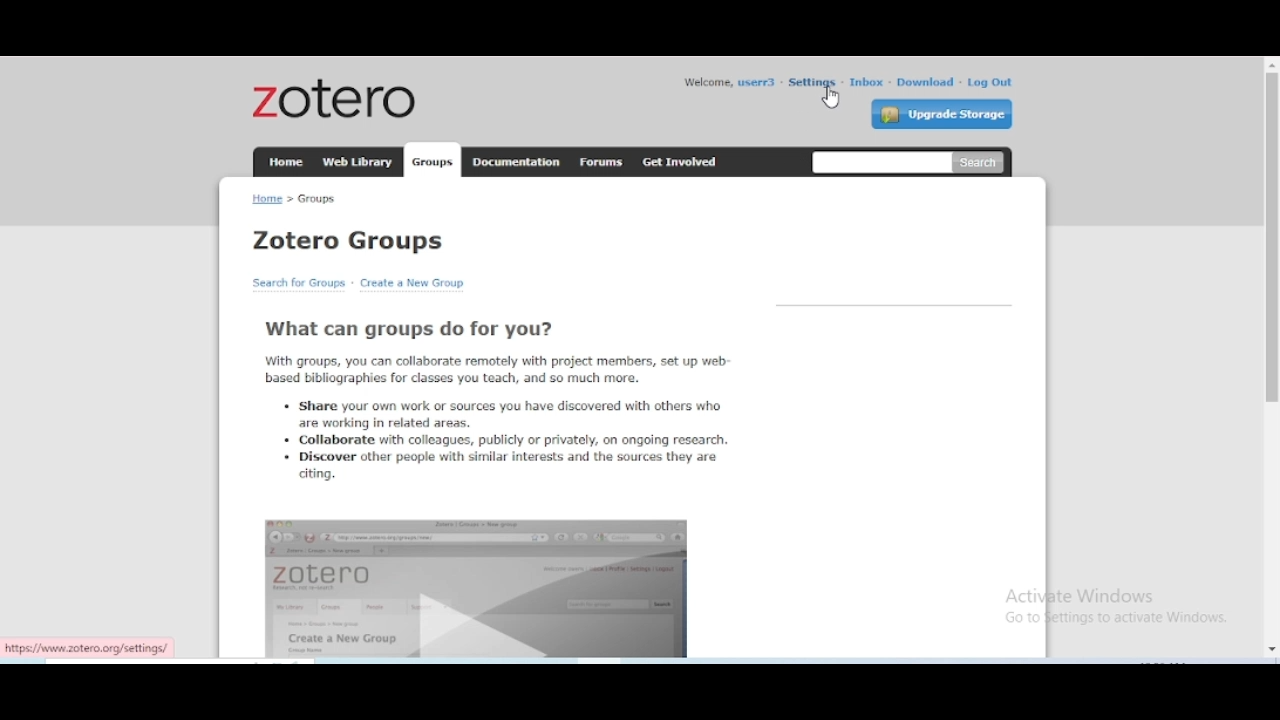  What do you see at coordinates (1117, 619) in the screenshot?
I see `` at bounding box center [1117, 619].